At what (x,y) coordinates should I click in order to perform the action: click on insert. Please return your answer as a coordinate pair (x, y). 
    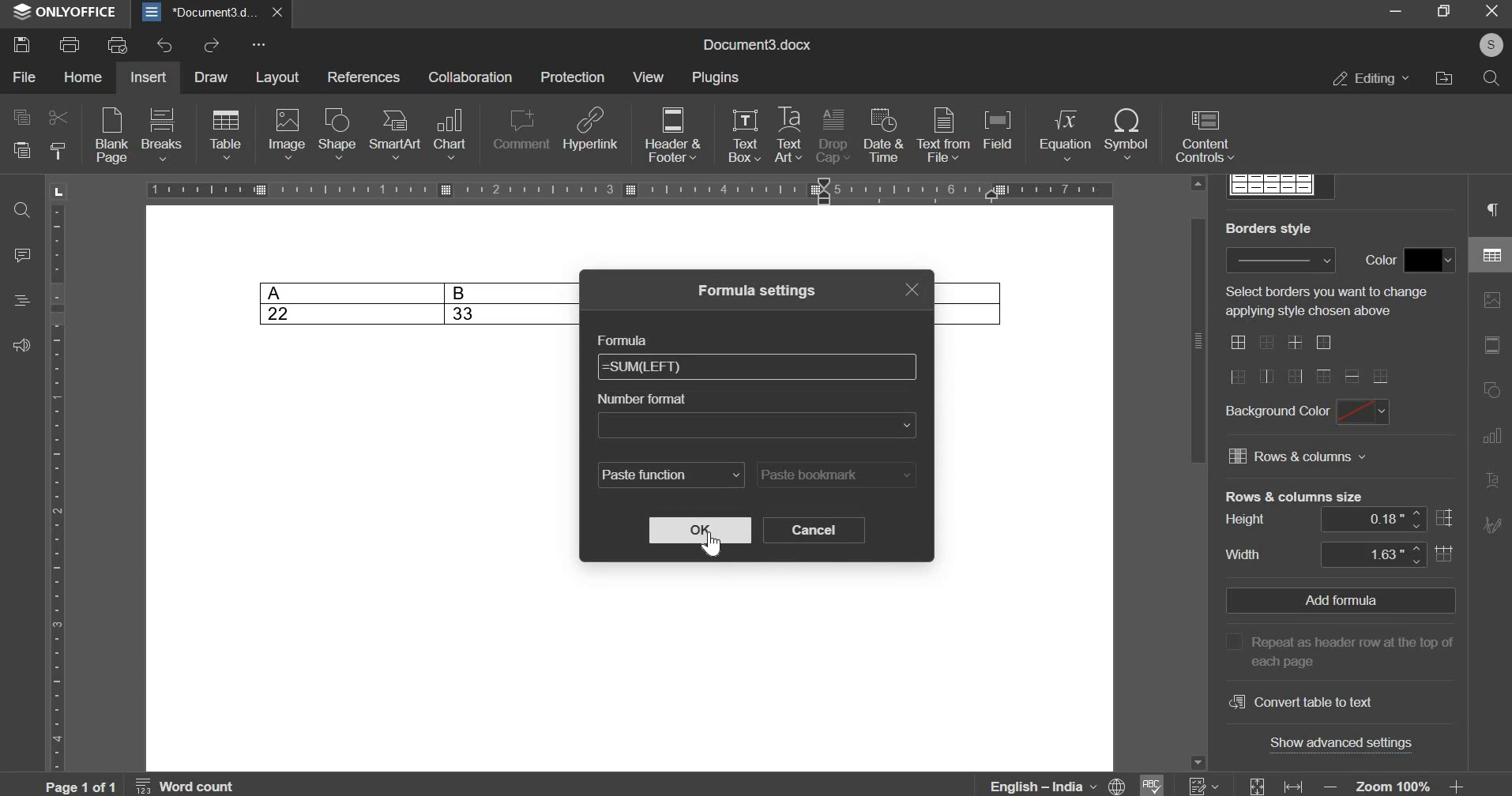
    Looking at the image, I should click on (152, 77).